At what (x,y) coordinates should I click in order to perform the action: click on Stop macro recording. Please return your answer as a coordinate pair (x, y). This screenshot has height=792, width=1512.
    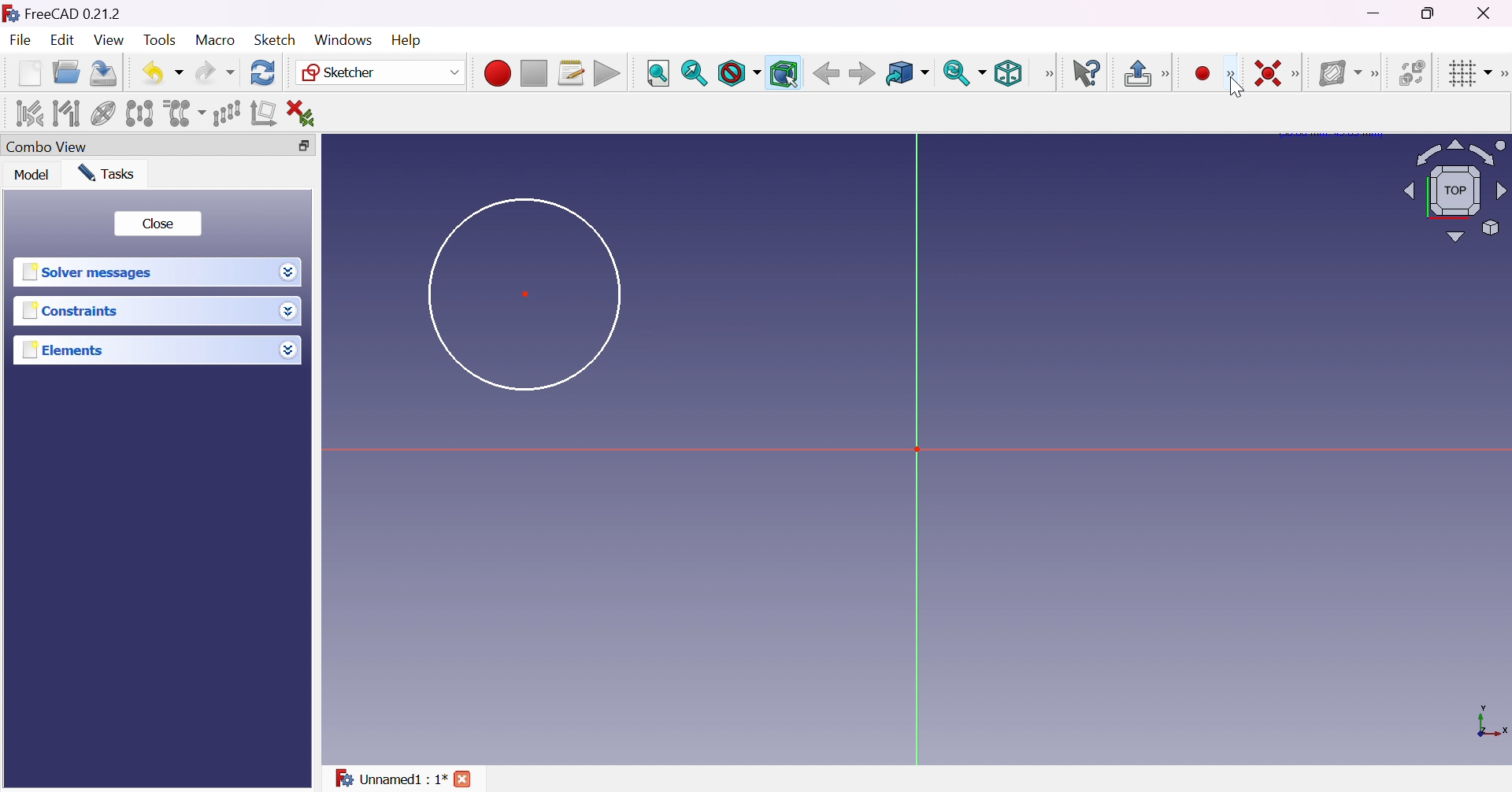
    Looking at the image, I should click on (532, 74).